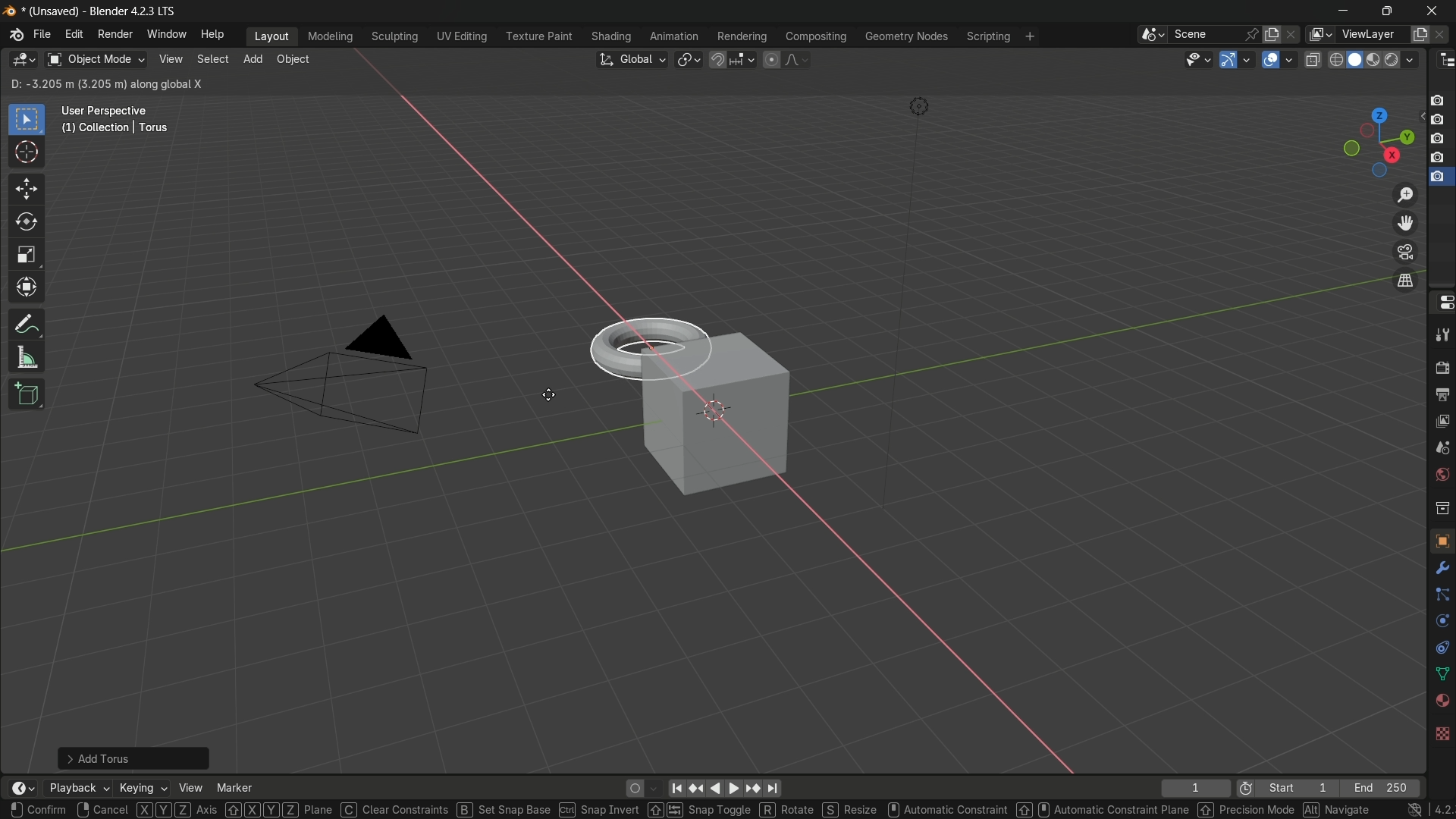 The image size is (1456, 819). What do you see at coordinates (27, 358) in the screenshot?
I see `measure` at bounding box center [27, 358].